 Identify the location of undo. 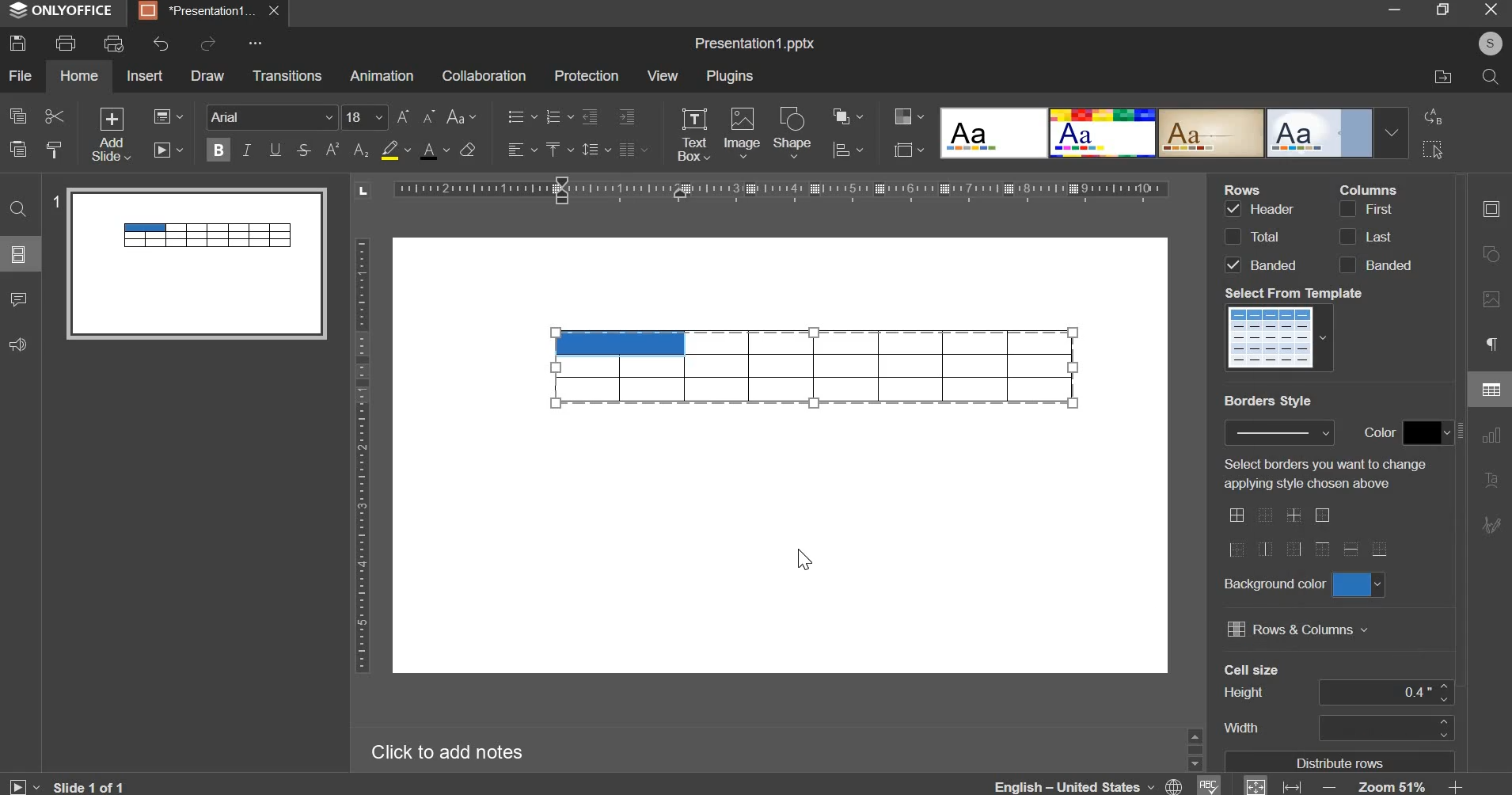
(161, 44).